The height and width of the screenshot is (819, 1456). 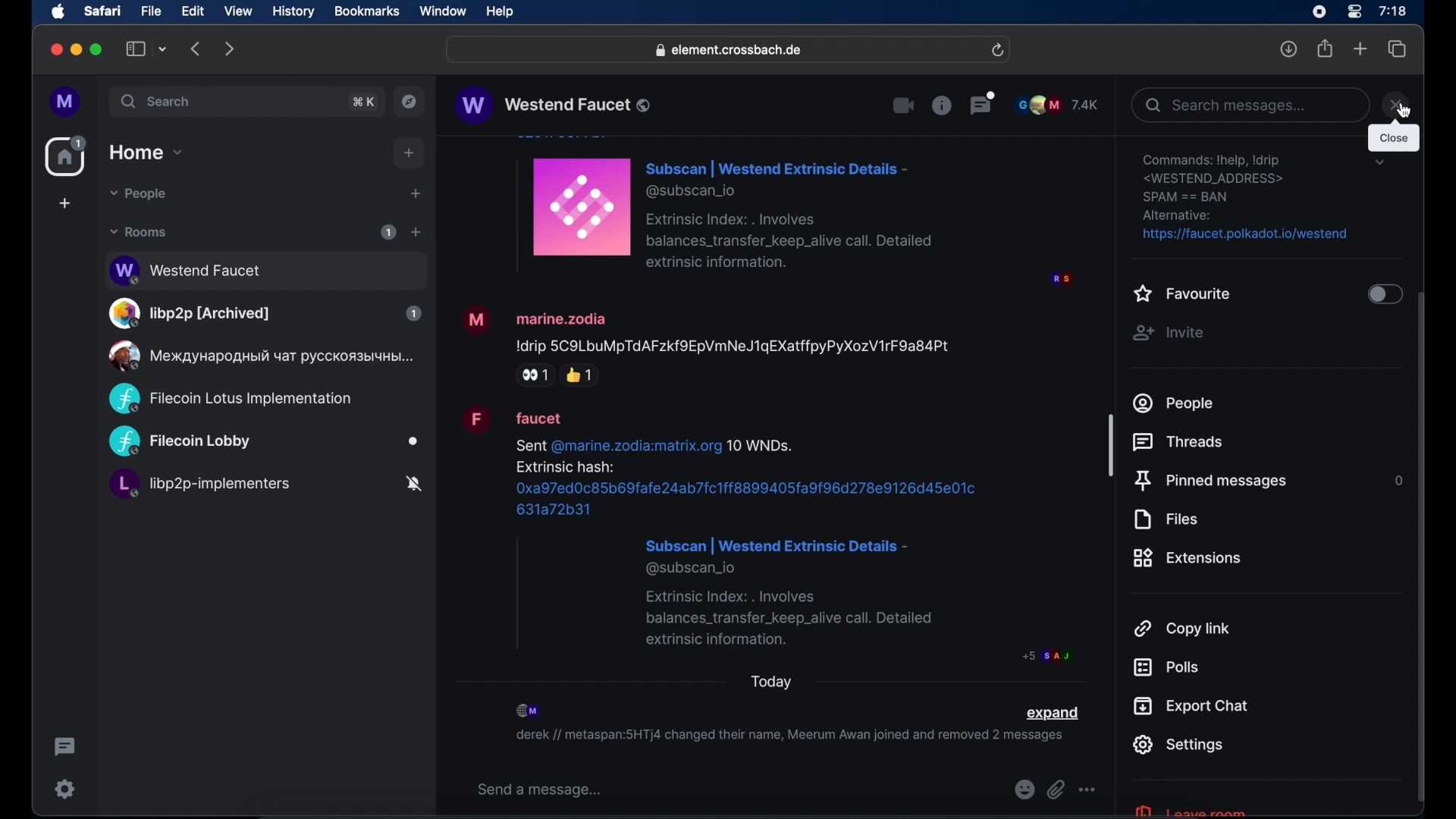 I want to click on backward, so click(x=196, y=49).